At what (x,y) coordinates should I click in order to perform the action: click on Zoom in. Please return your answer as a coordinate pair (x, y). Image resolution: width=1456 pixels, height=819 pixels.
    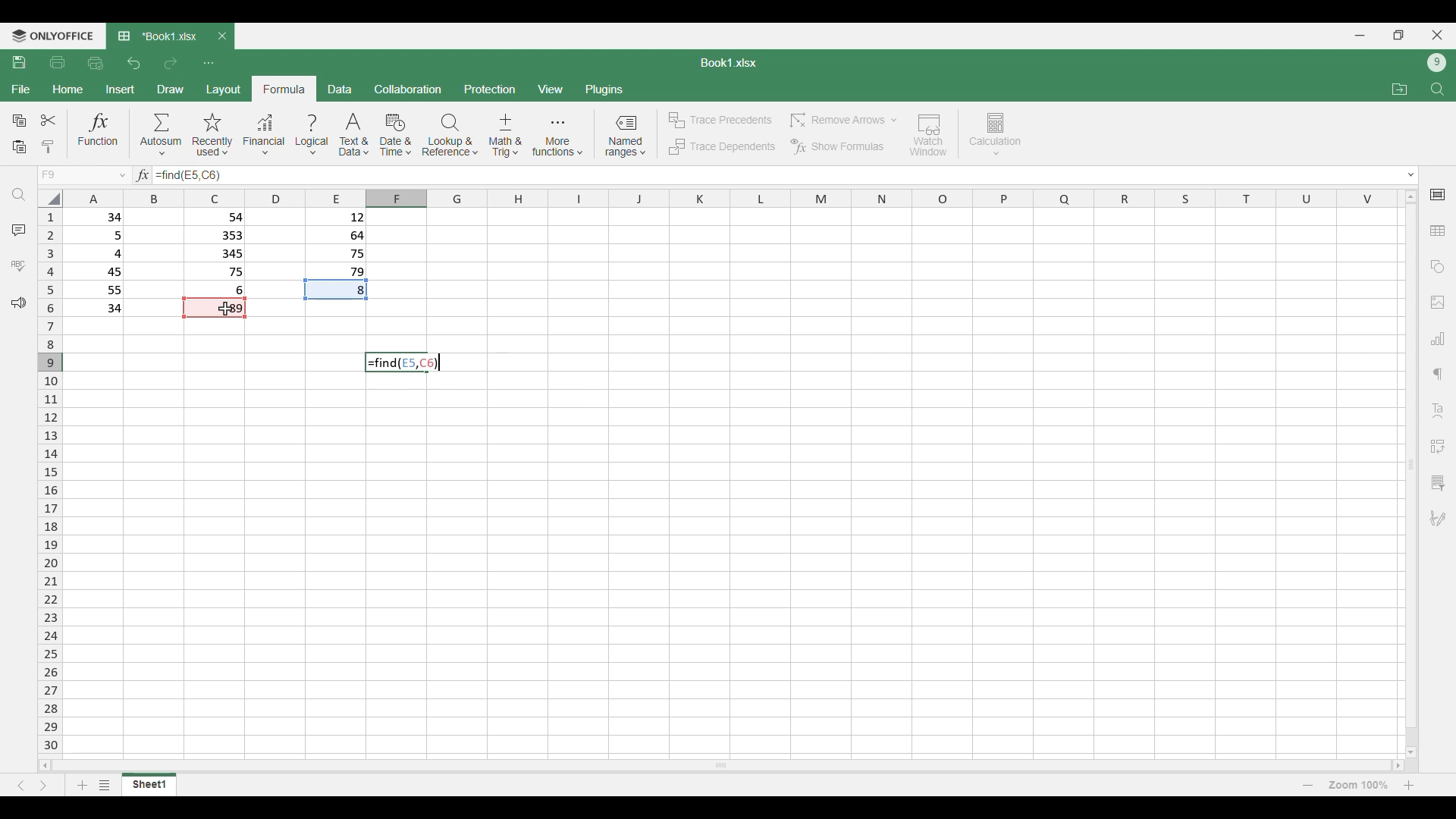
    Looking at the image, I should click on (1409, 785).